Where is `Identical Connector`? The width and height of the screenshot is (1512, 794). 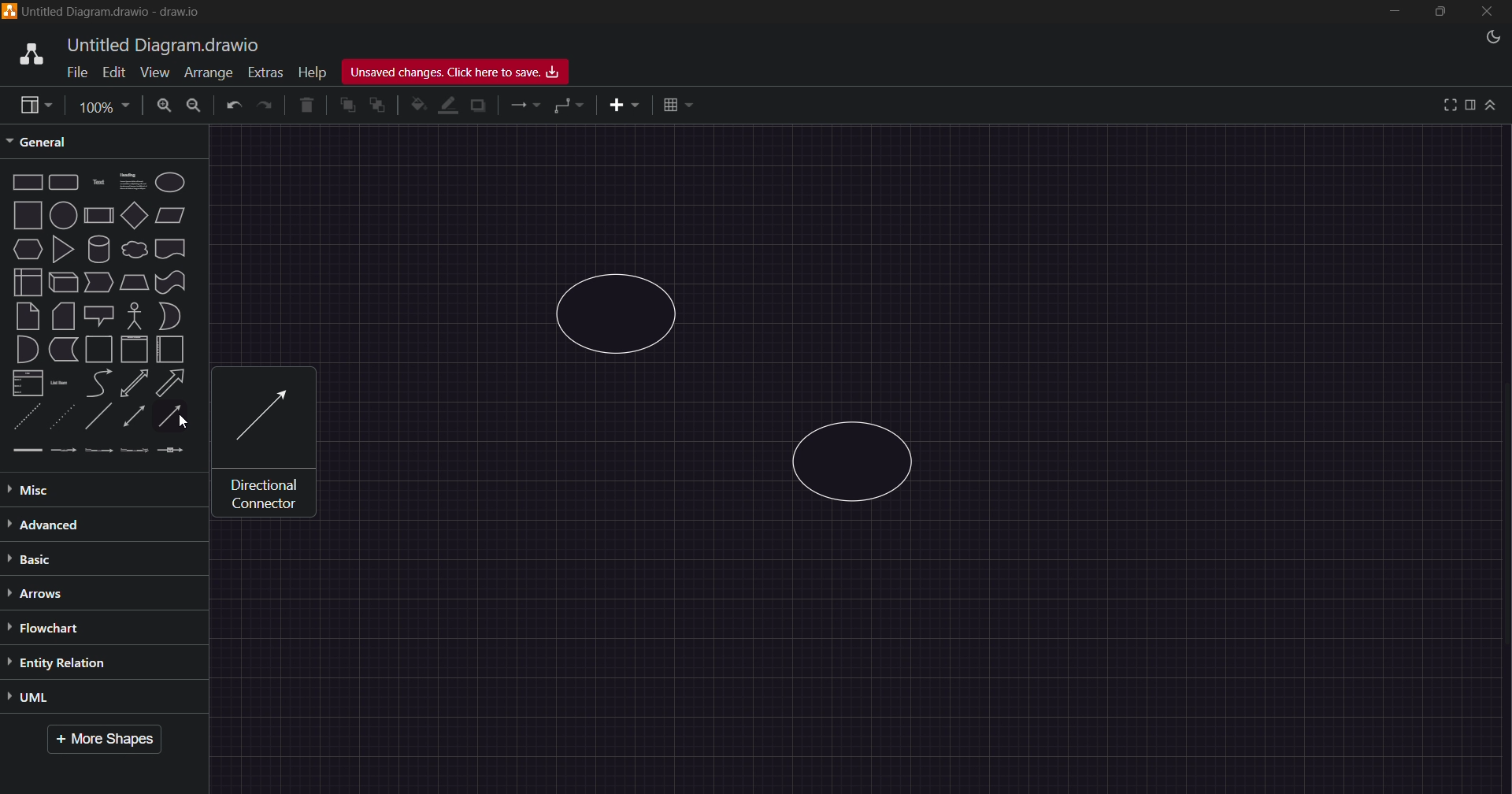
Identical Connector is located at coordinates (266, 418).